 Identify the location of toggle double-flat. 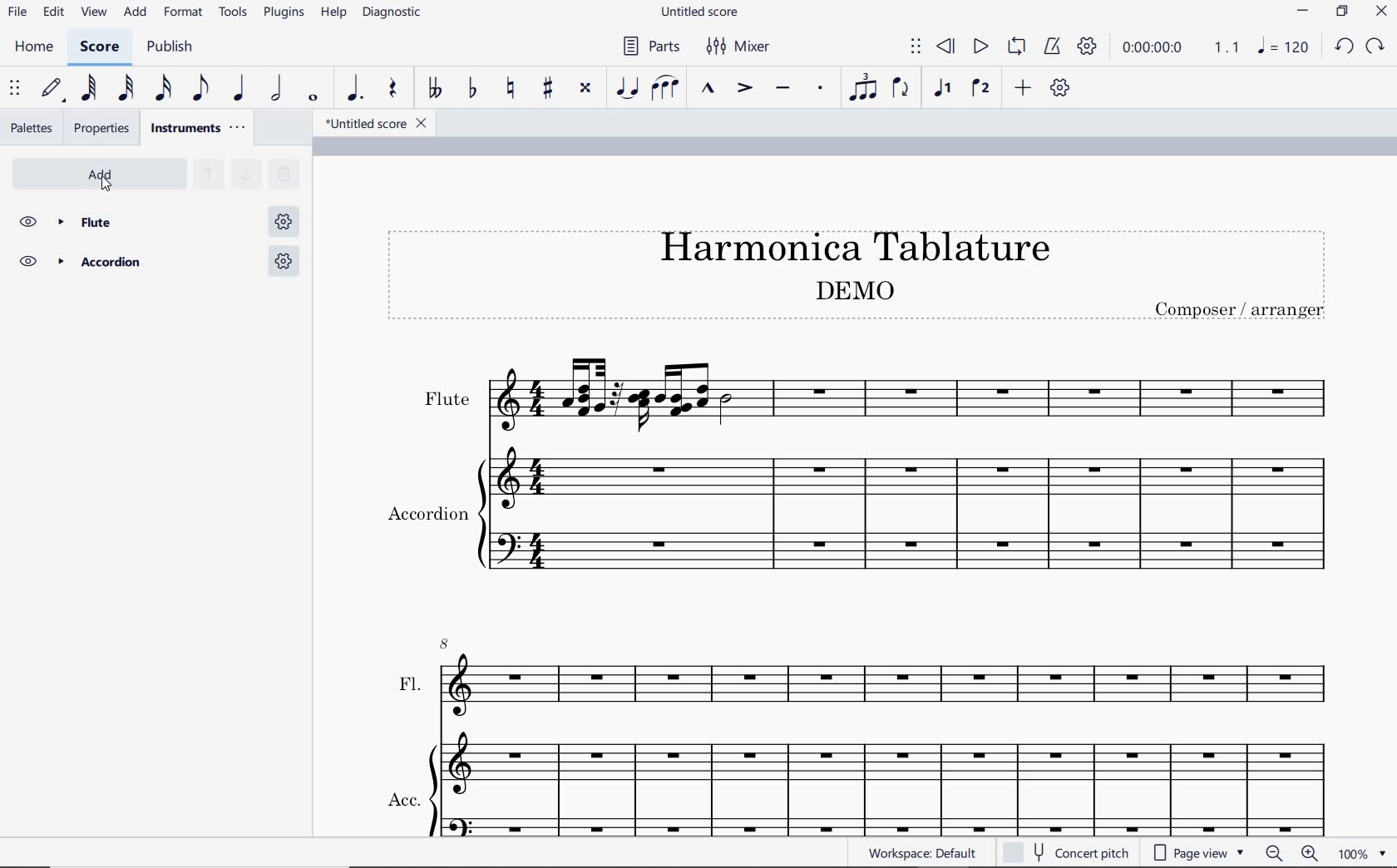
(433, 89).